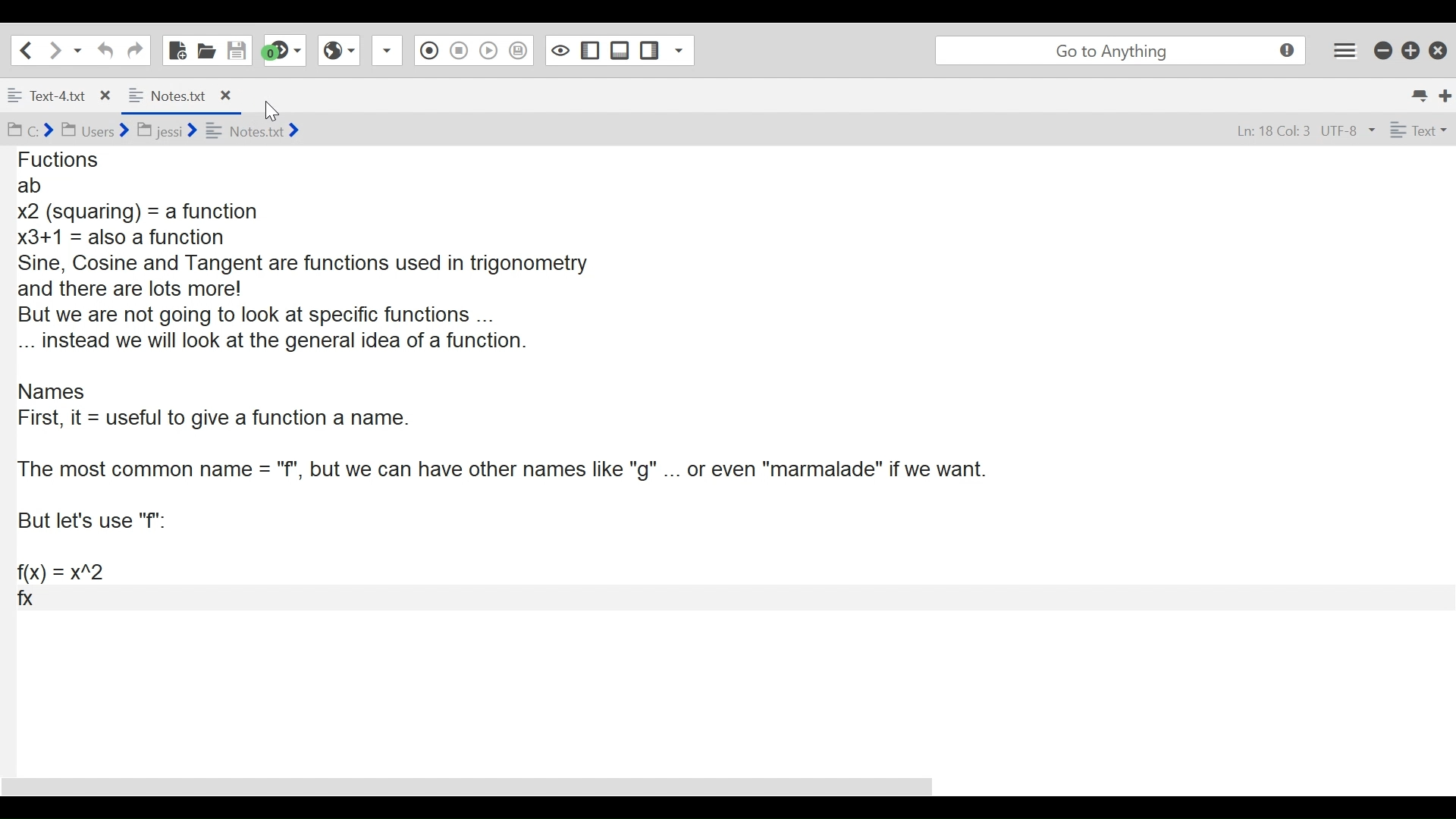 This screenshot has height=819, width=1456. I want to click on Go Forward one location, so click(54, 49).